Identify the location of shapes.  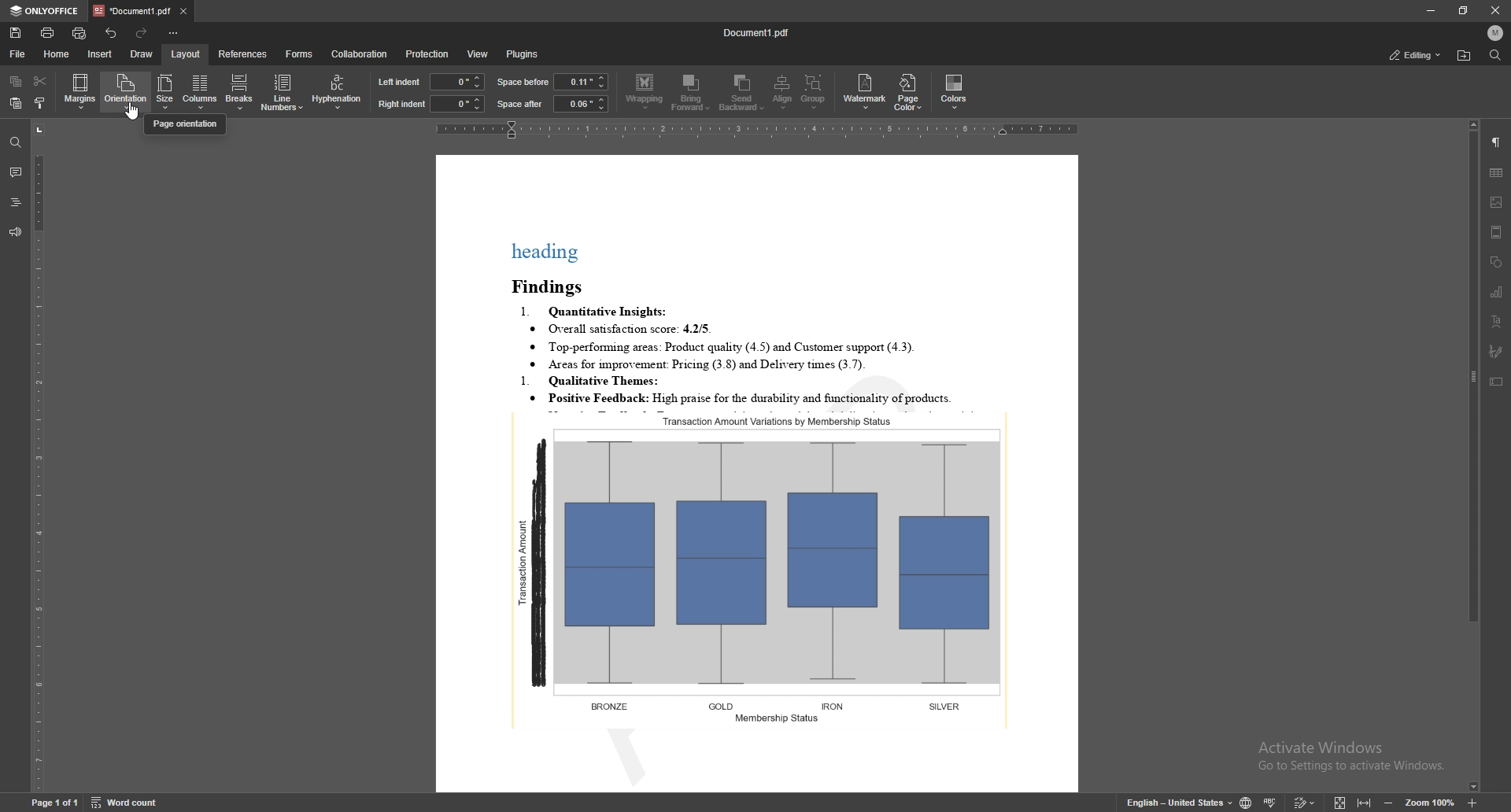
(1496, 262).